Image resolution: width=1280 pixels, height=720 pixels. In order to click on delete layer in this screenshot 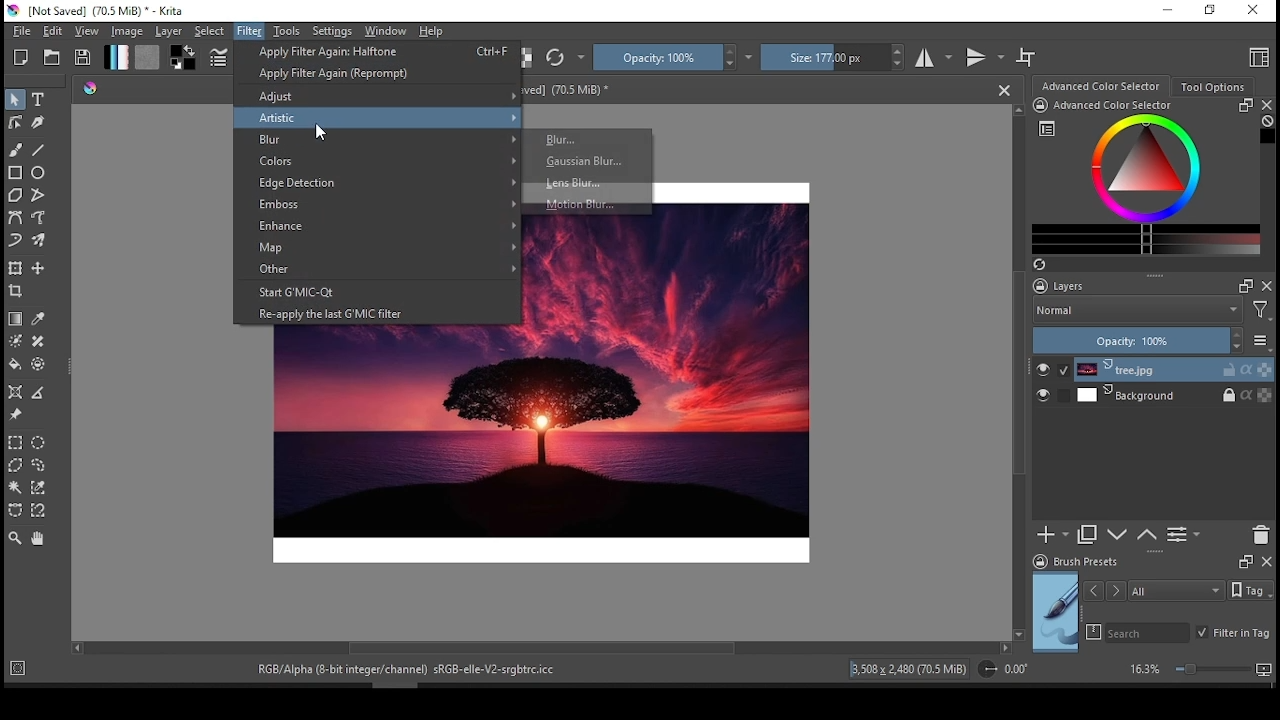, I will do `click(1262, 533)`.